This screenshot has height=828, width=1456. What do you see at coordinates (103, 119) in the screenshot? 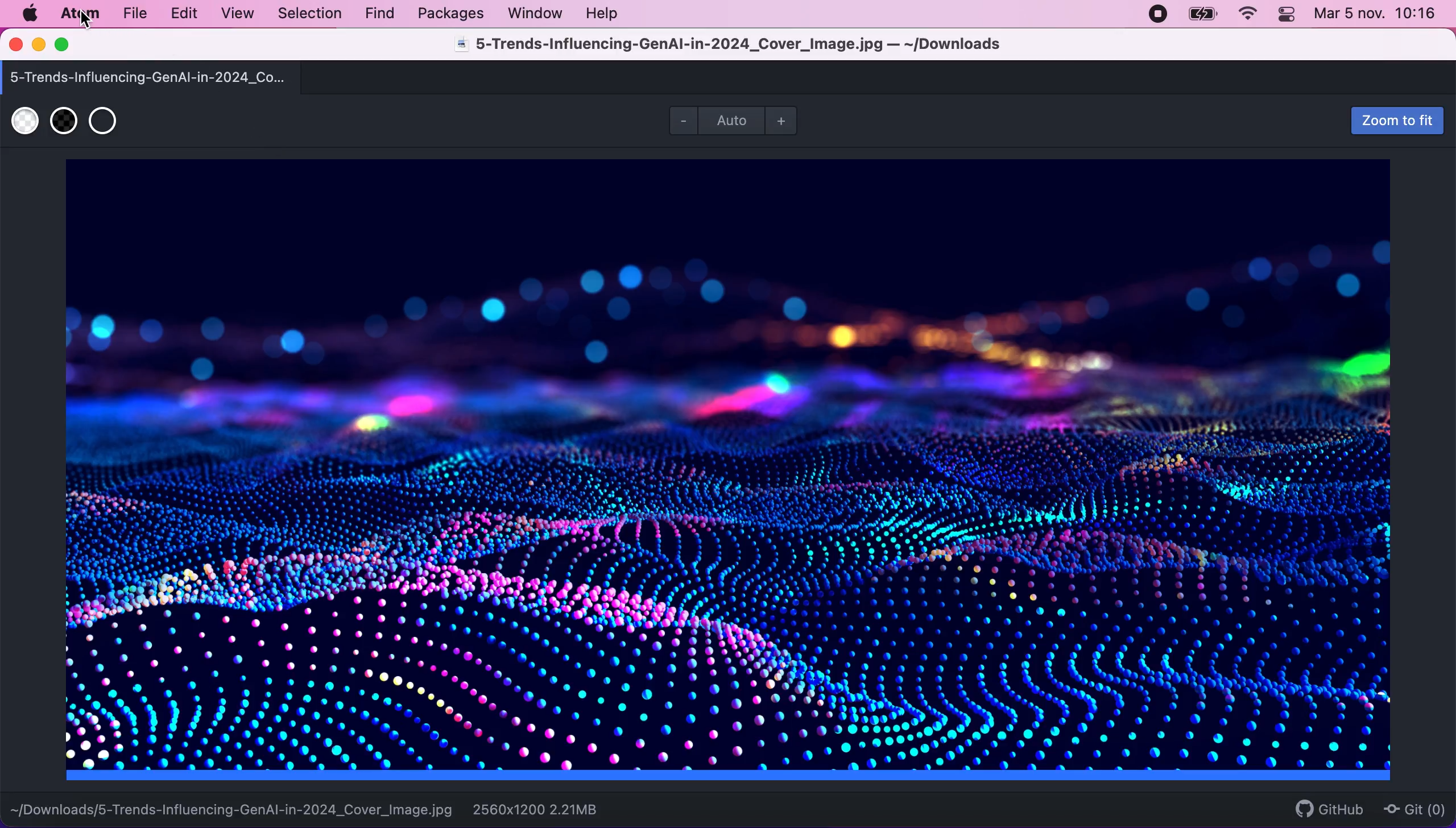
I see `use transparent background` at bounding box center [103, 119].